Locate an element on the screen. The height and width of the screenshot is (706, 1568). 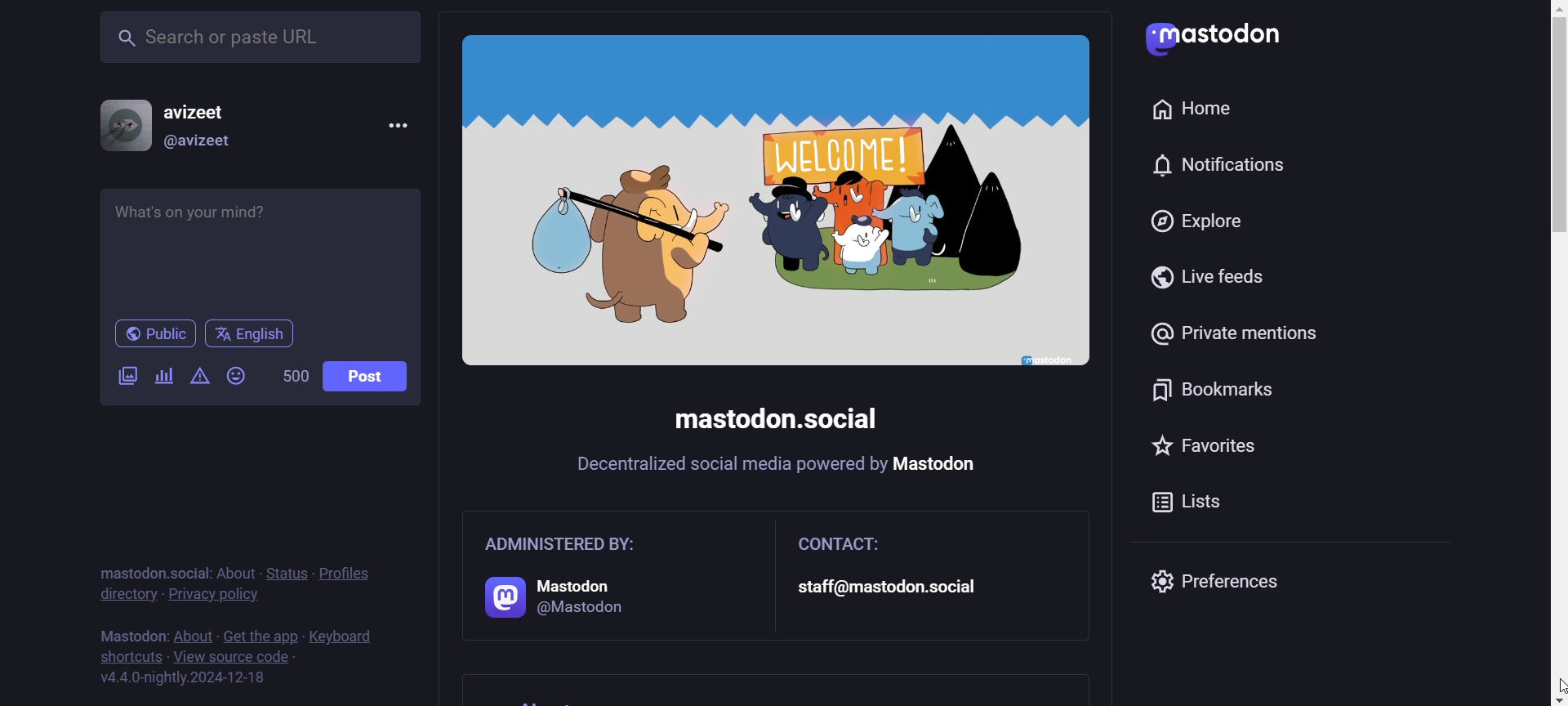
favorites is located at coordinates (1208, 446).